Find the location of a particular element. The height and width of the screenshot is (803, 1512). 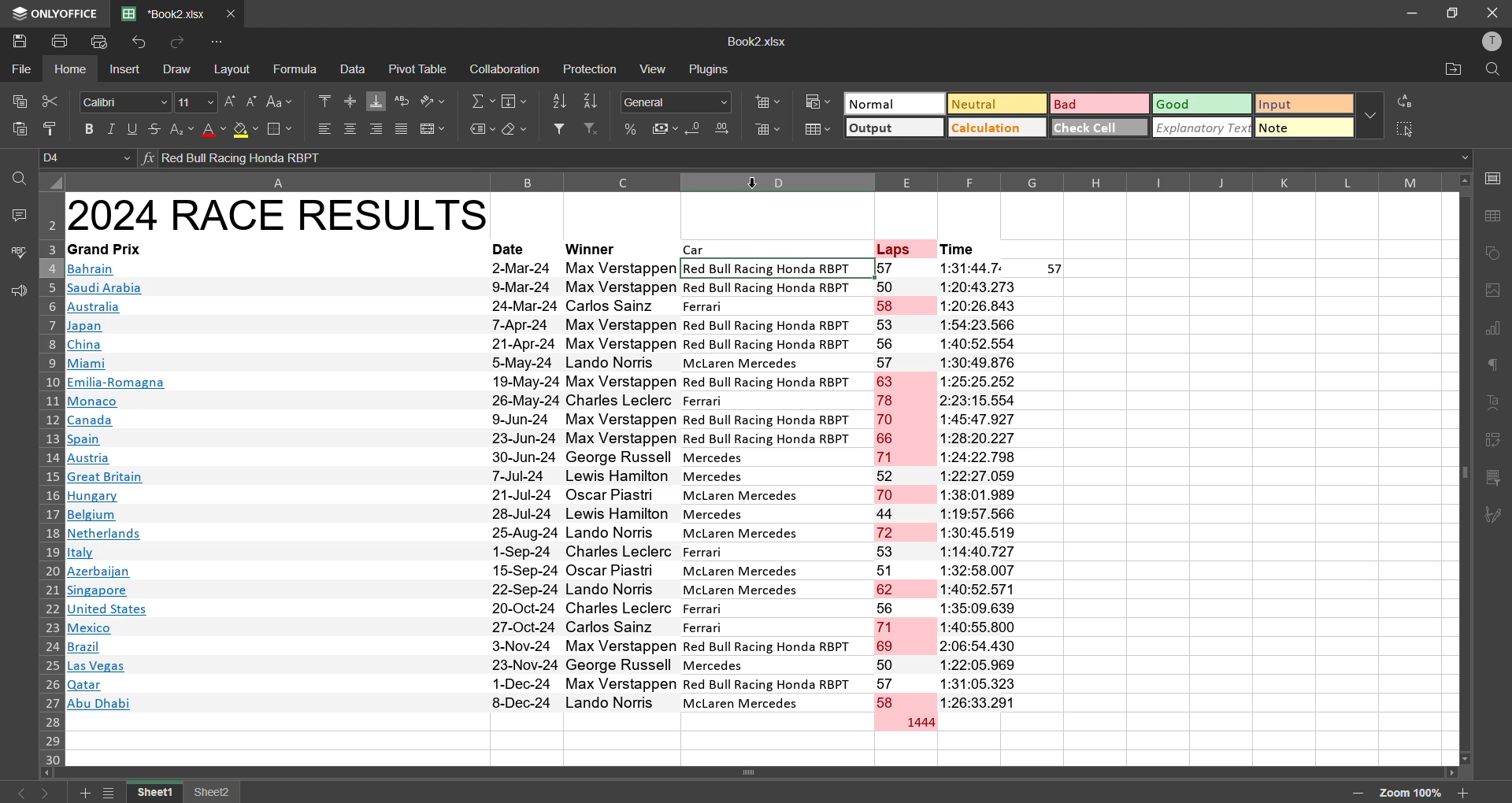

home is located at coordinates (74, 69).